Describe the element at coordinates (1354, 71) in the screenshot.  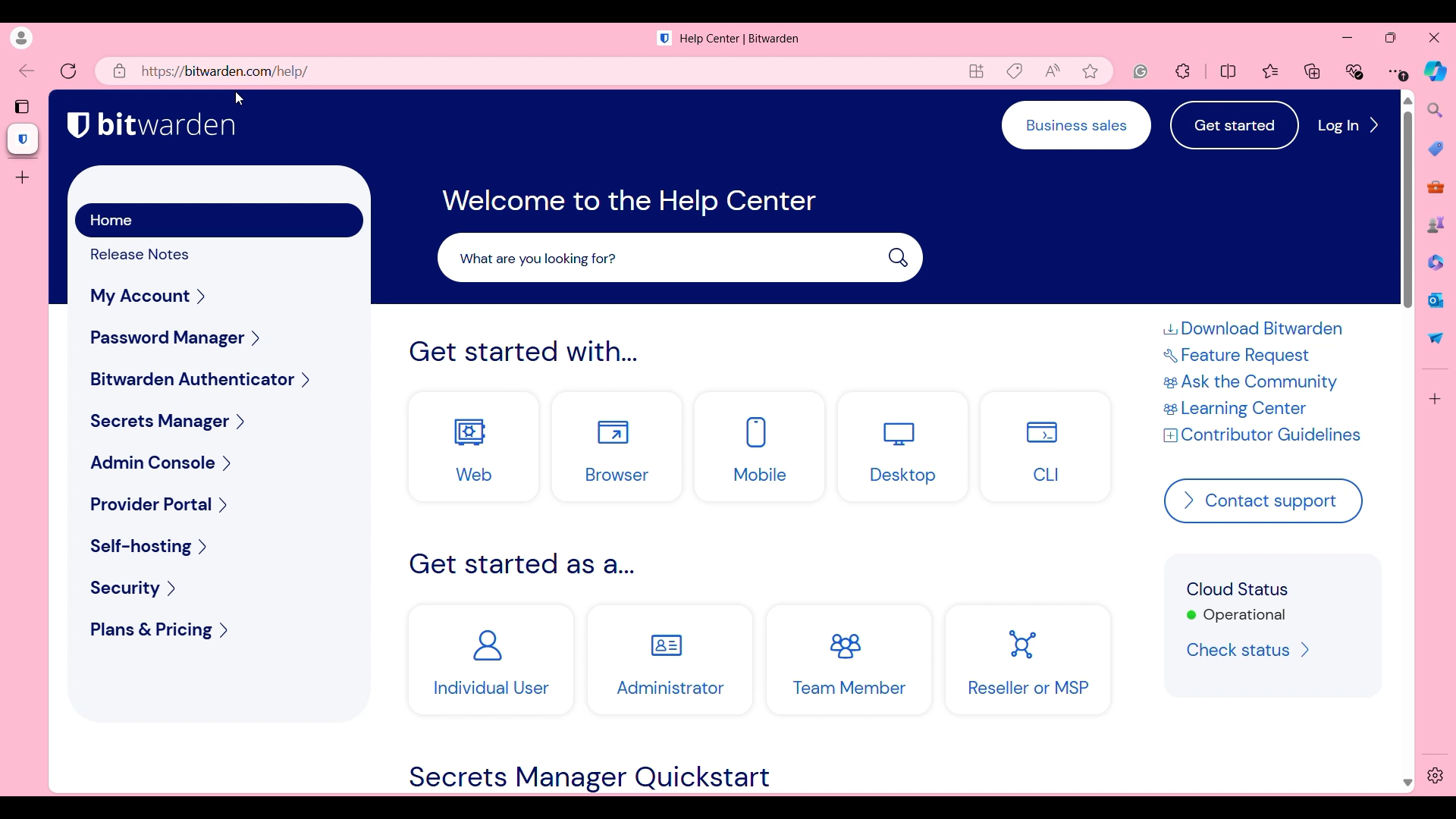
I see `Browser essentials` at that location.